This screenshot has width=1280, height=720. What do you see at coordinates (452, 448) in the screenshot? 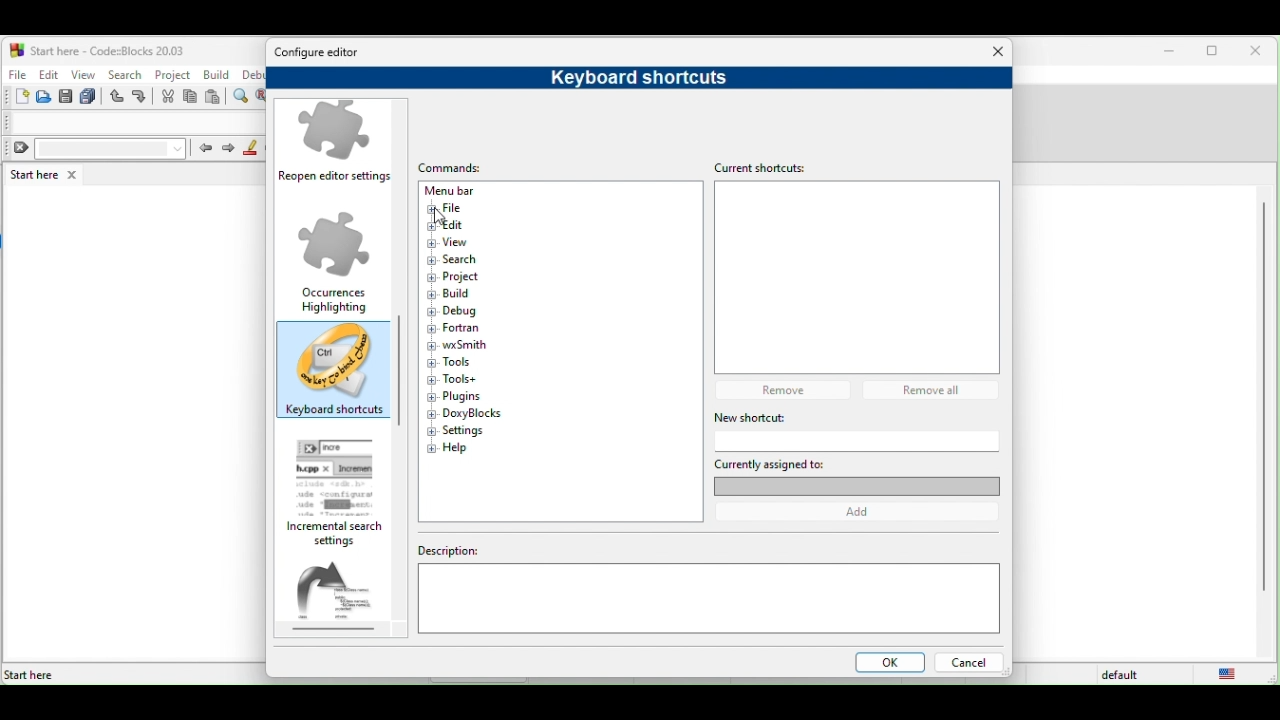
I see `help` at bounding box center [452, 448].